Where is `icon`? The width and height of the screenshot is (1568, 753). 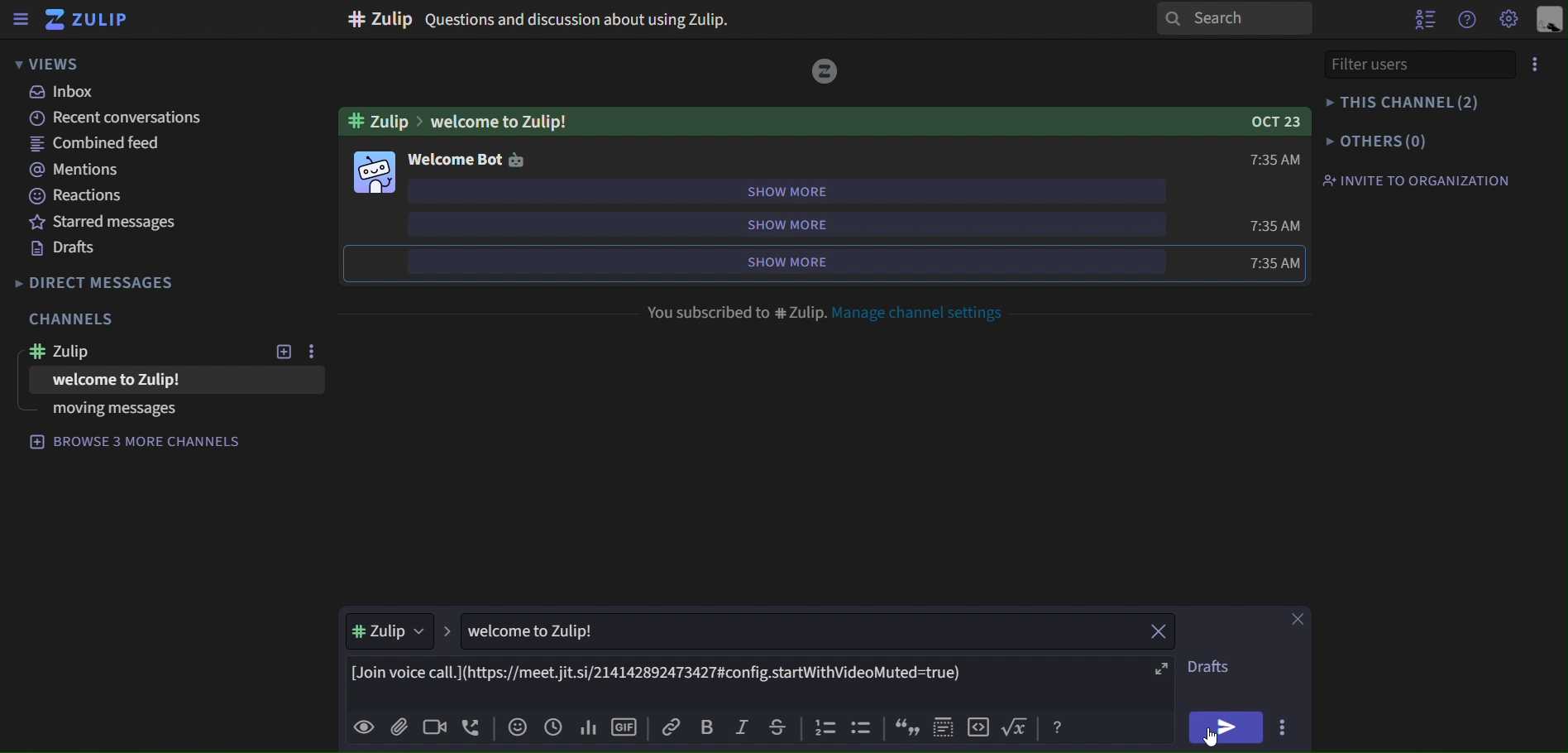
icon is located at coordinates (827, 727).